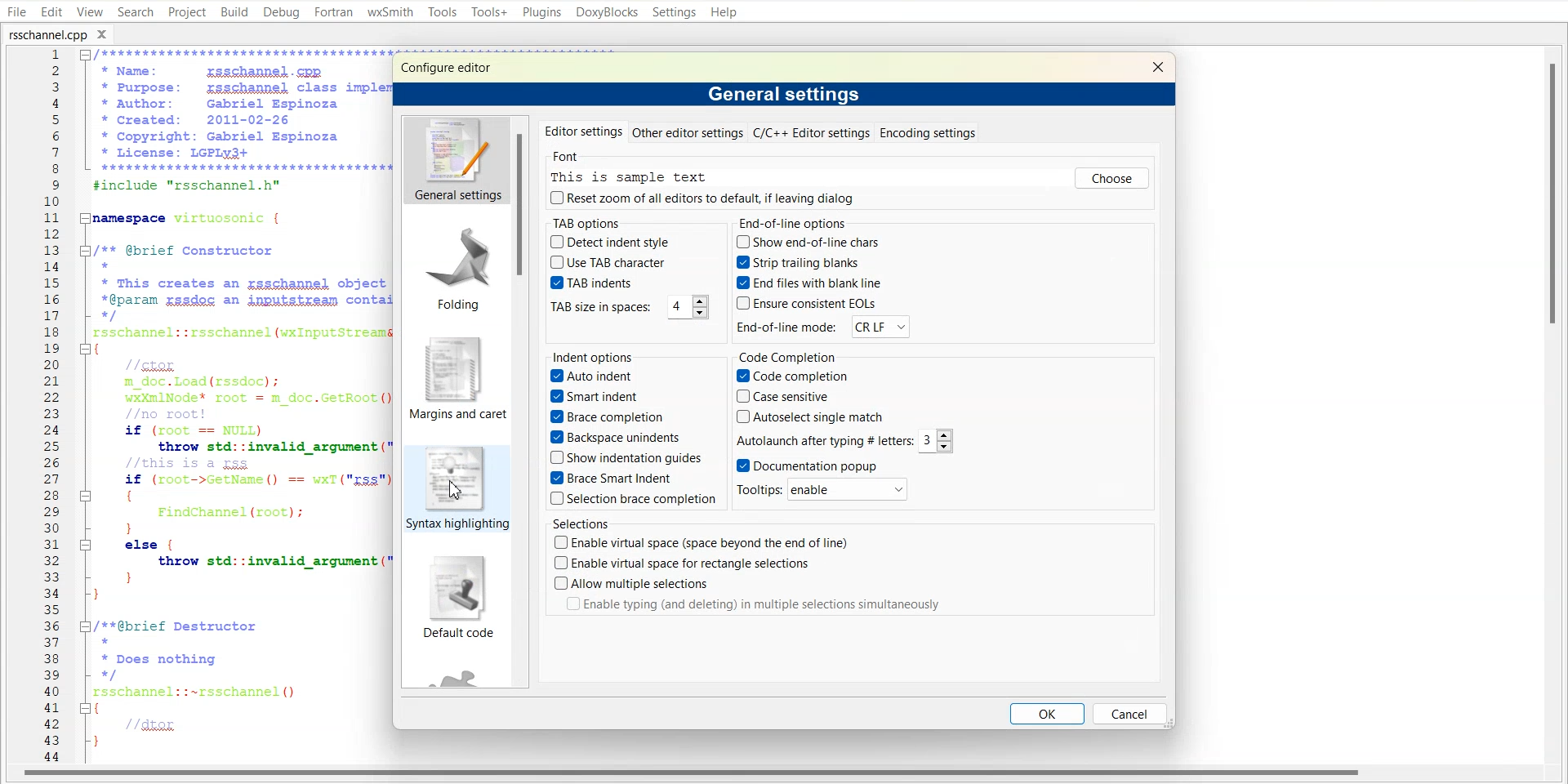  I want to click on Enable virtual space, so click(703, 541).